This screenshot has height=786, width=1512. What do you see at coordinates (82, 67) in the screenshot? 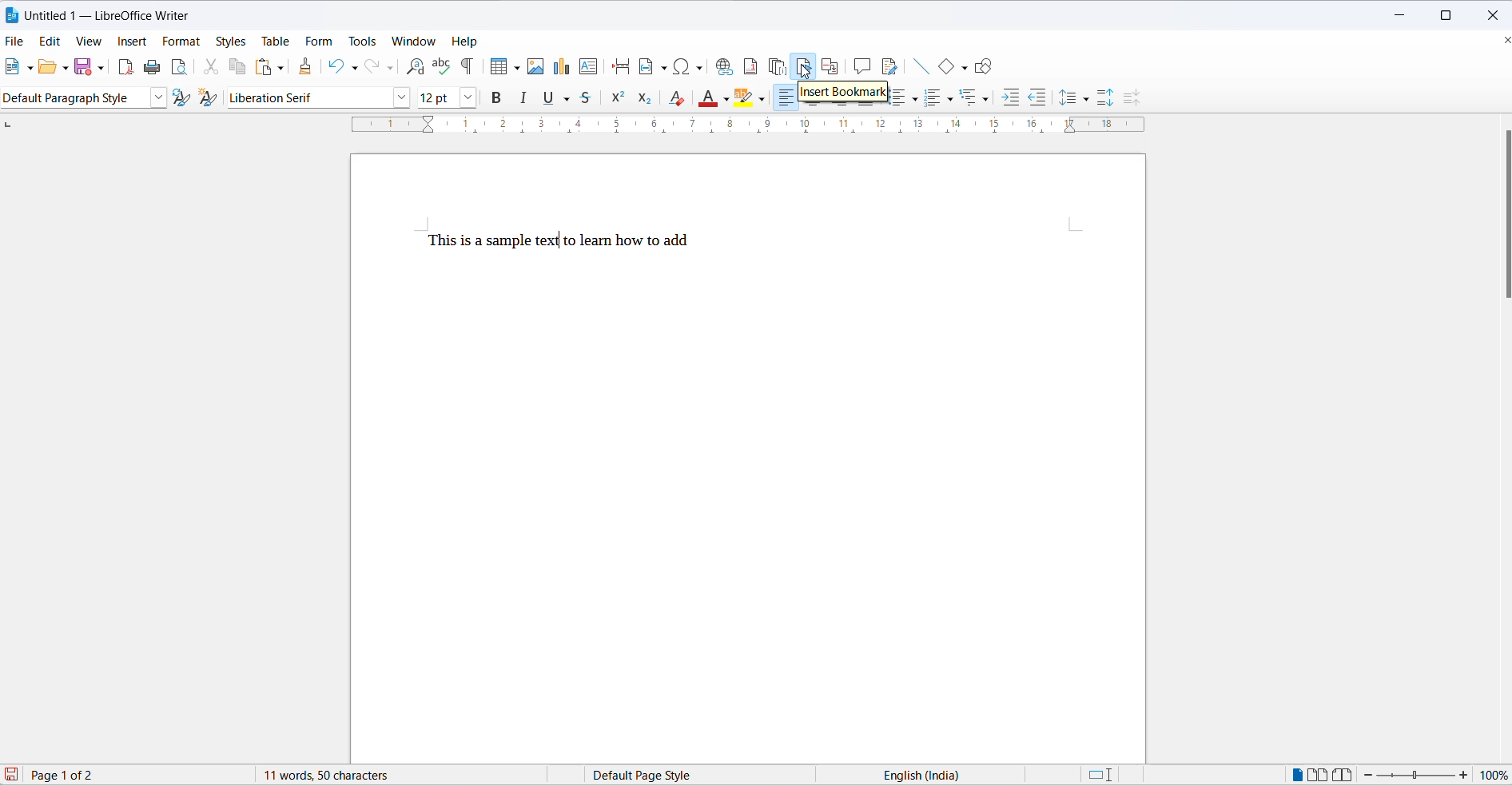
I see `save` at bounding box center [82, 67].